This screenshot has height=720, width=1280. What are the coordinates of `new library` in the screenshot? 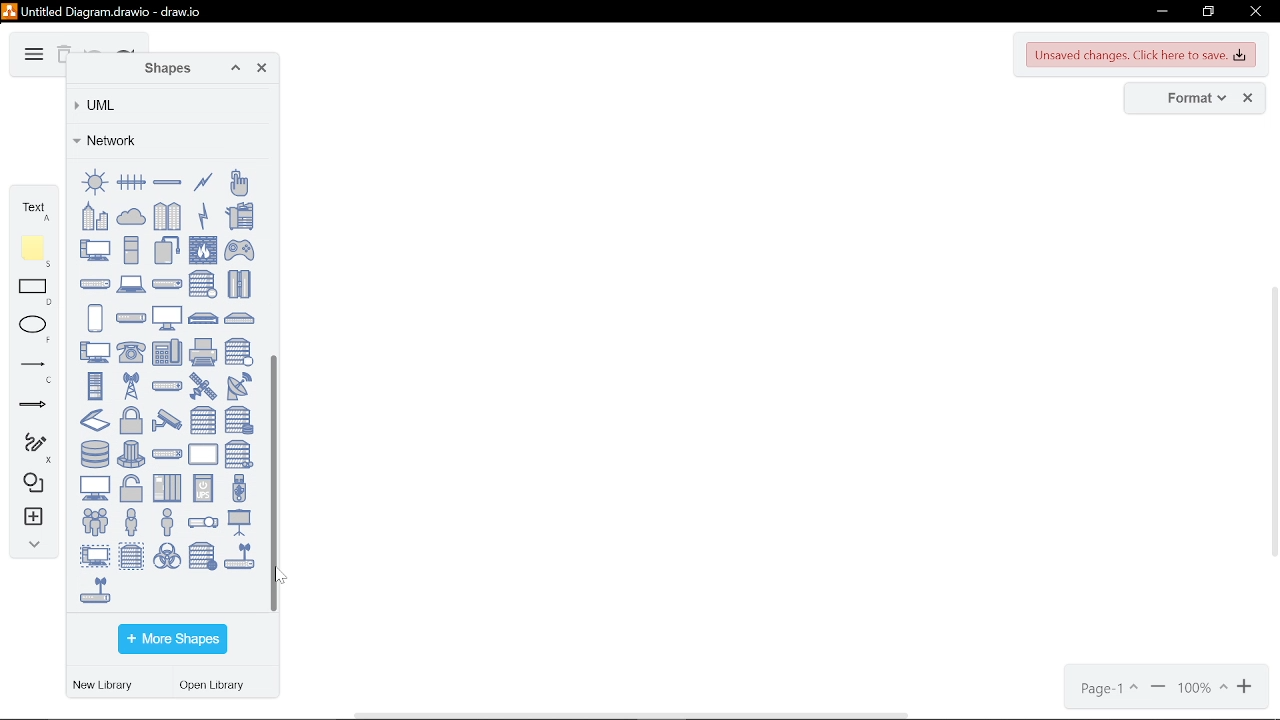 It's located at (106, 686).